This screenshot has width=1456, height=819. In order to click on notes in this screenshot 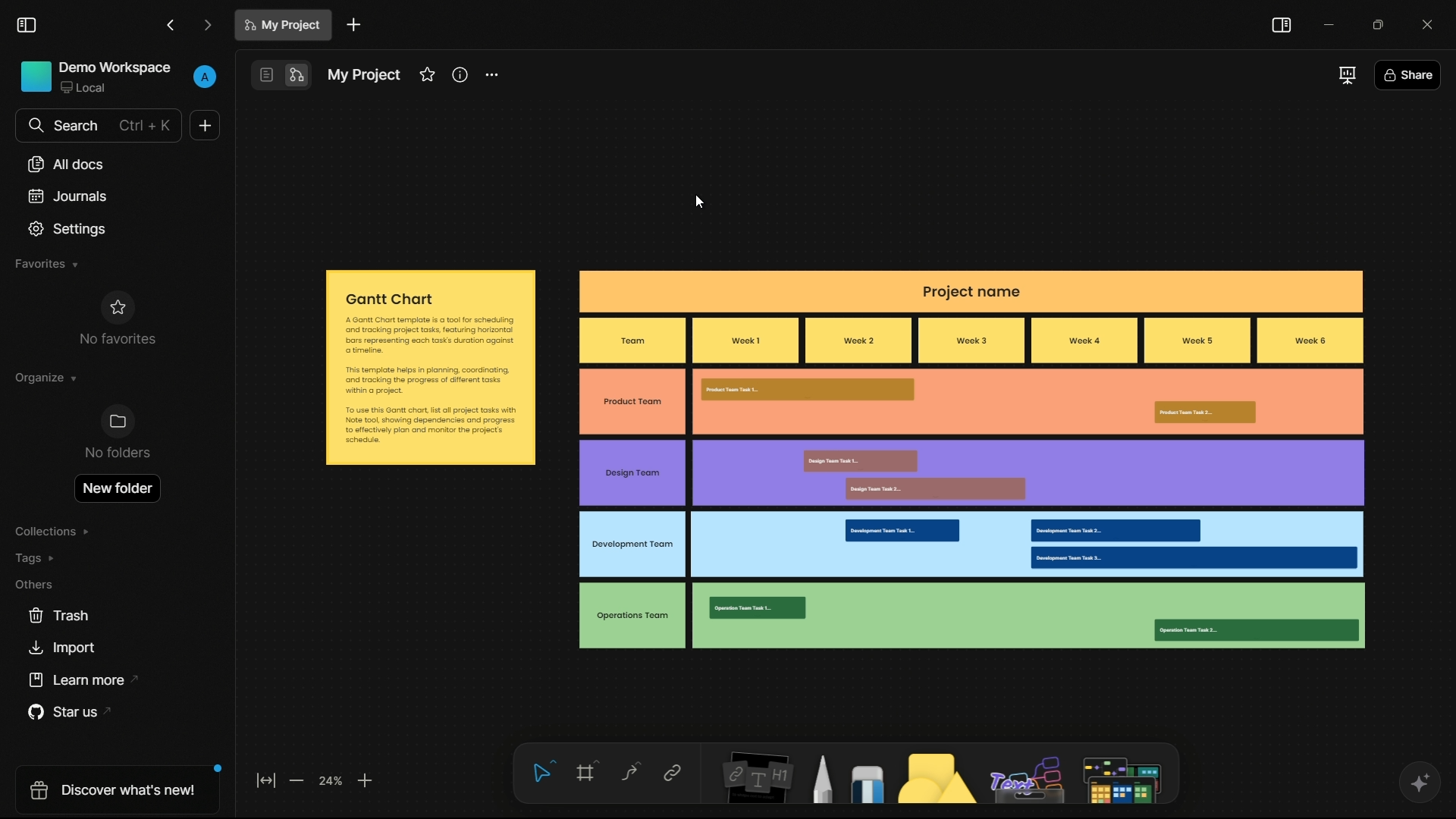, I will do `click(753, 780)`.